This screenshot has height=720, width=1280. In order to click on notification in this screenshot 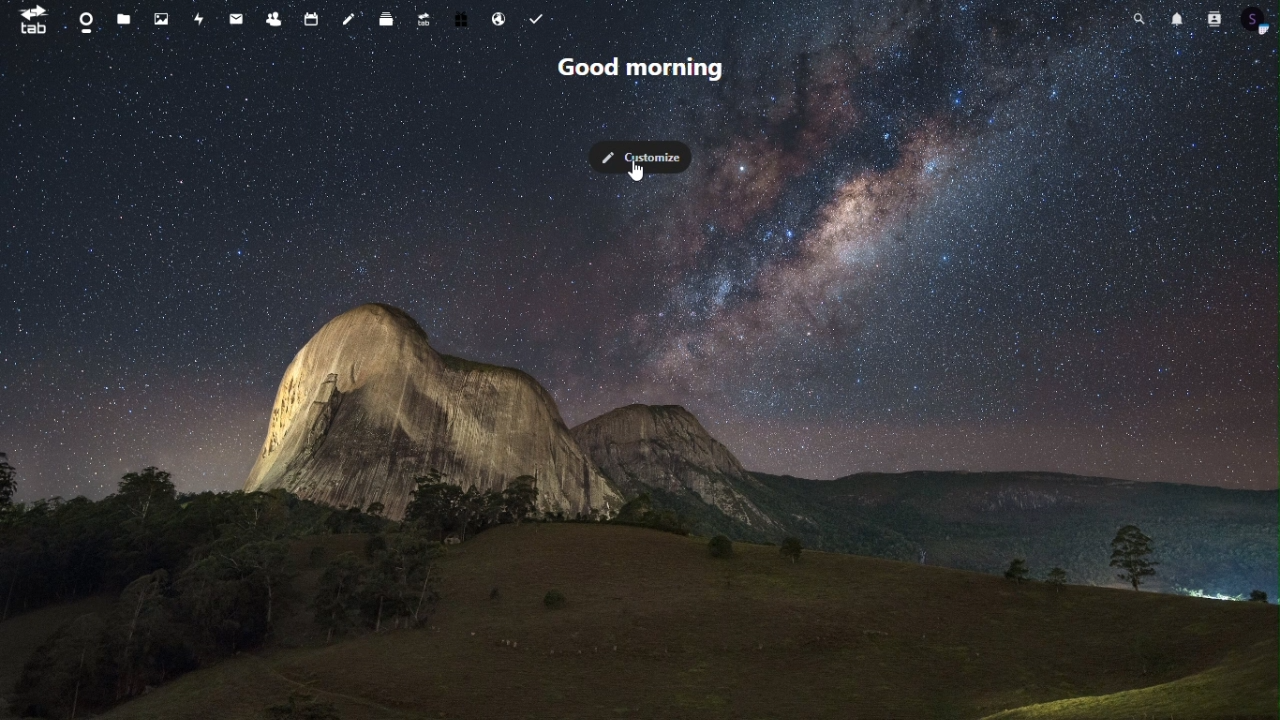, I will do `click(1175, 19)`.